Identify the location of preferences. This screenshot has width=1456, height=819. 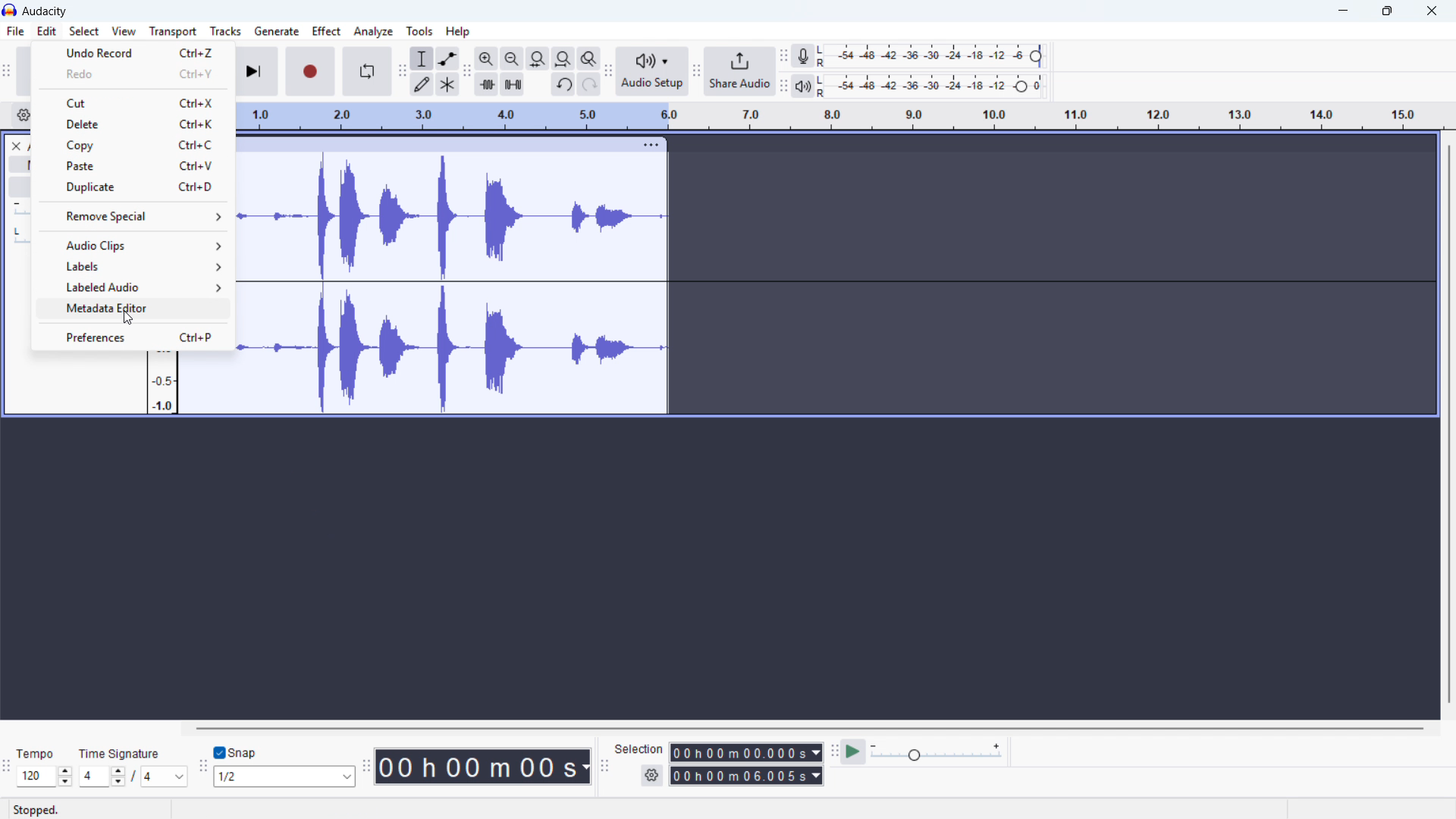
(133, 338).